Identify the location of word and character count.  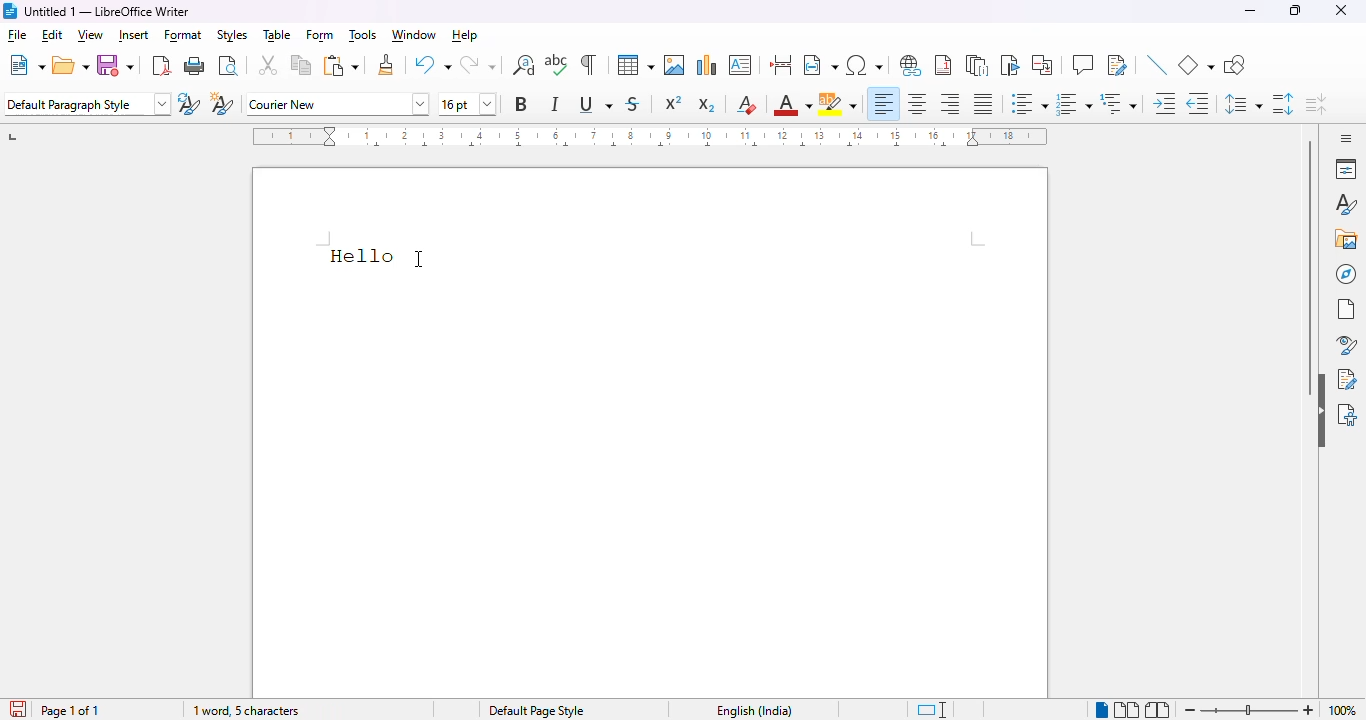
(274, 711).